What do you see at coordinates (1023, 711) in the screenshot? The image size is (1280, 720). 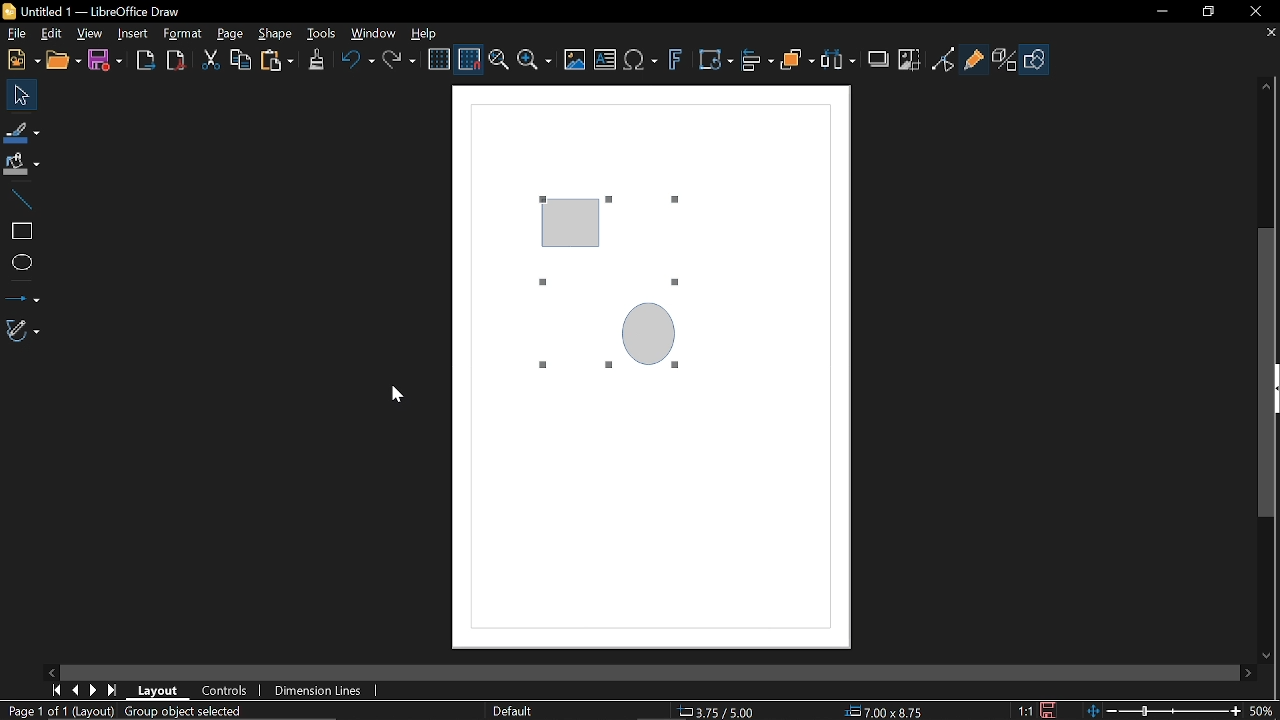 I see `Scaling factor` at bounding box center [1023, 711].